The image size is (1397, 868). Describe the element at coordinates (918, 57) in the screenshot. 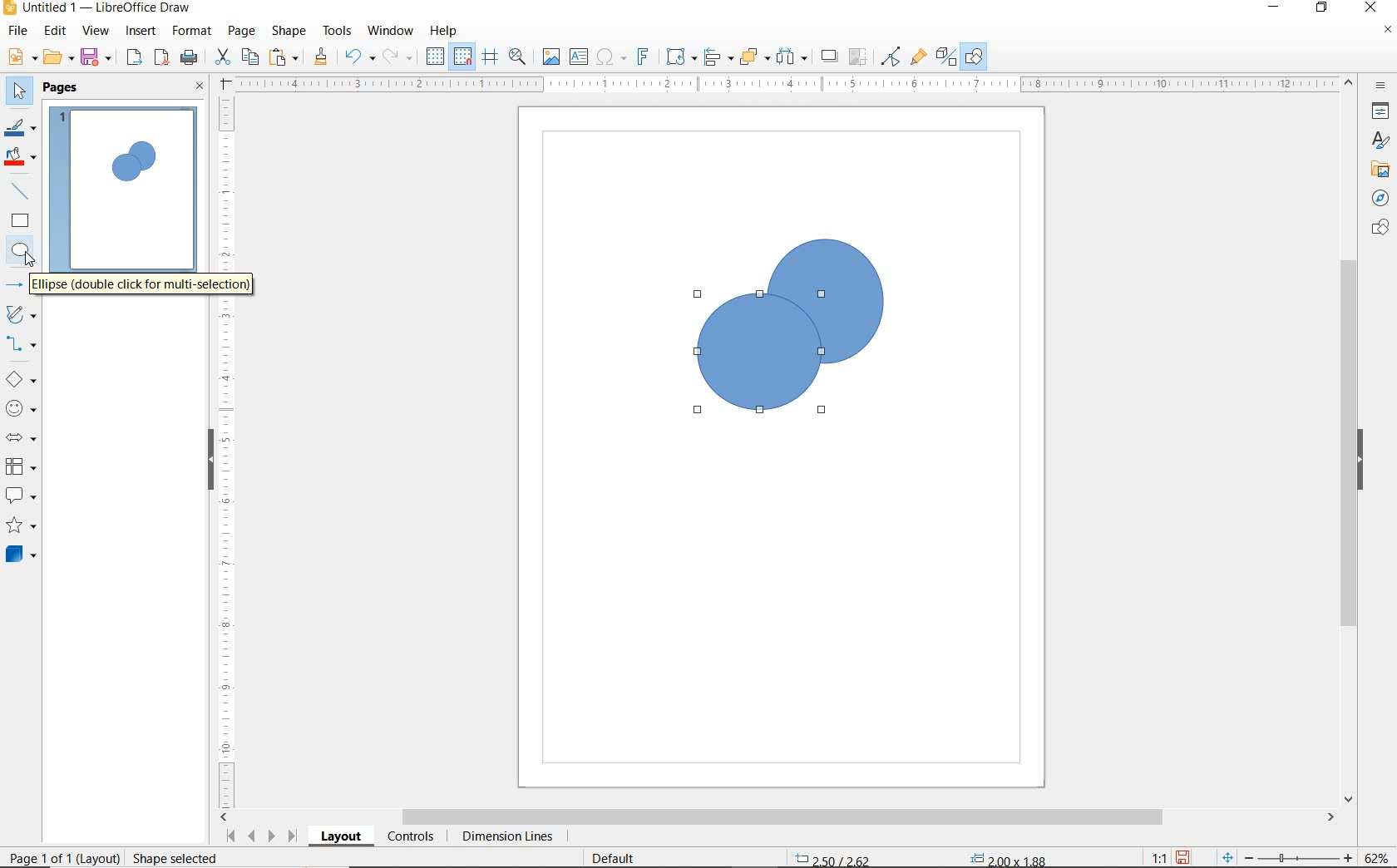

I see `SHOW GLUEPOINT FUNCTIONS` at that location.